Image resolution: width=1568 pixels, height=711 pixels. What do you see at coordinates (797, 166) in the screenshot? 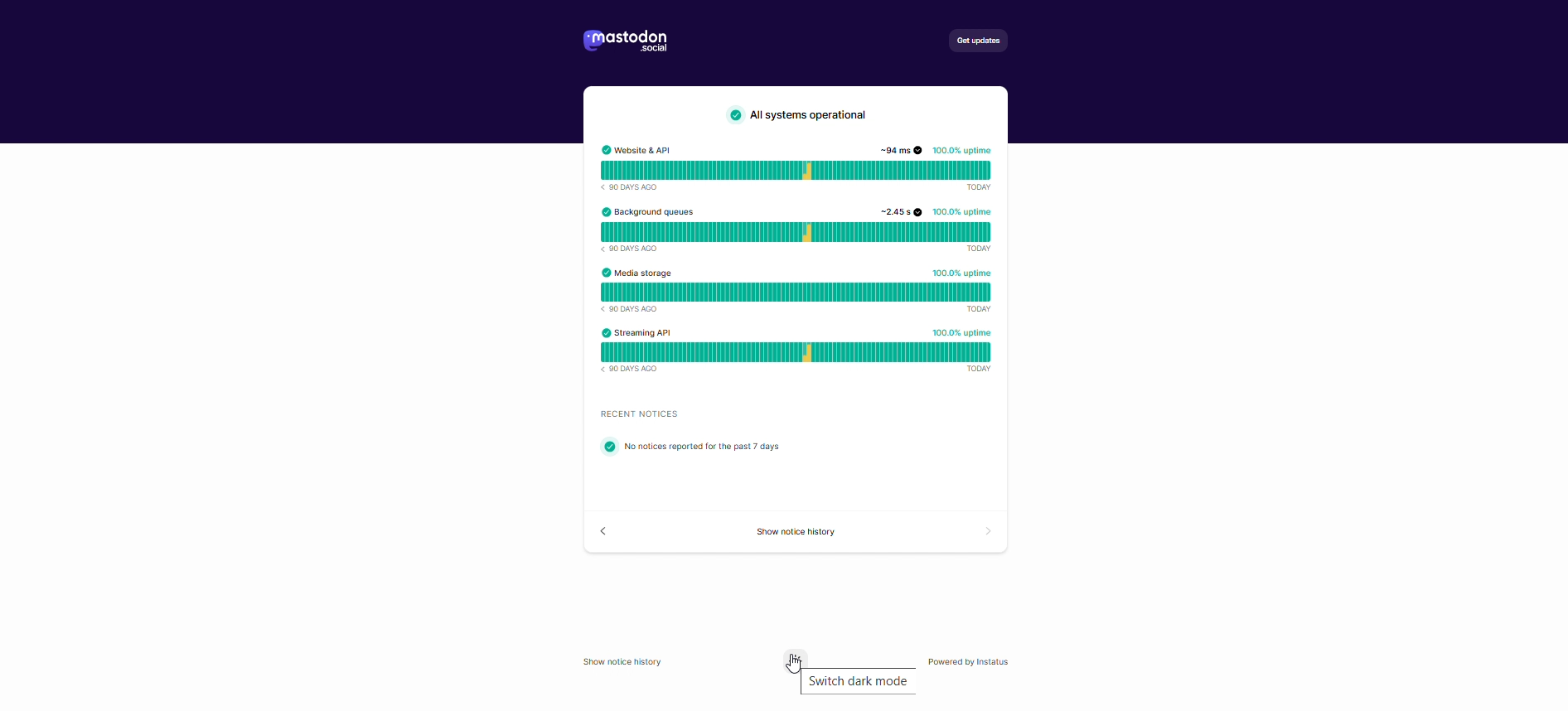
I see `website API` at bounding box center [797, 166].